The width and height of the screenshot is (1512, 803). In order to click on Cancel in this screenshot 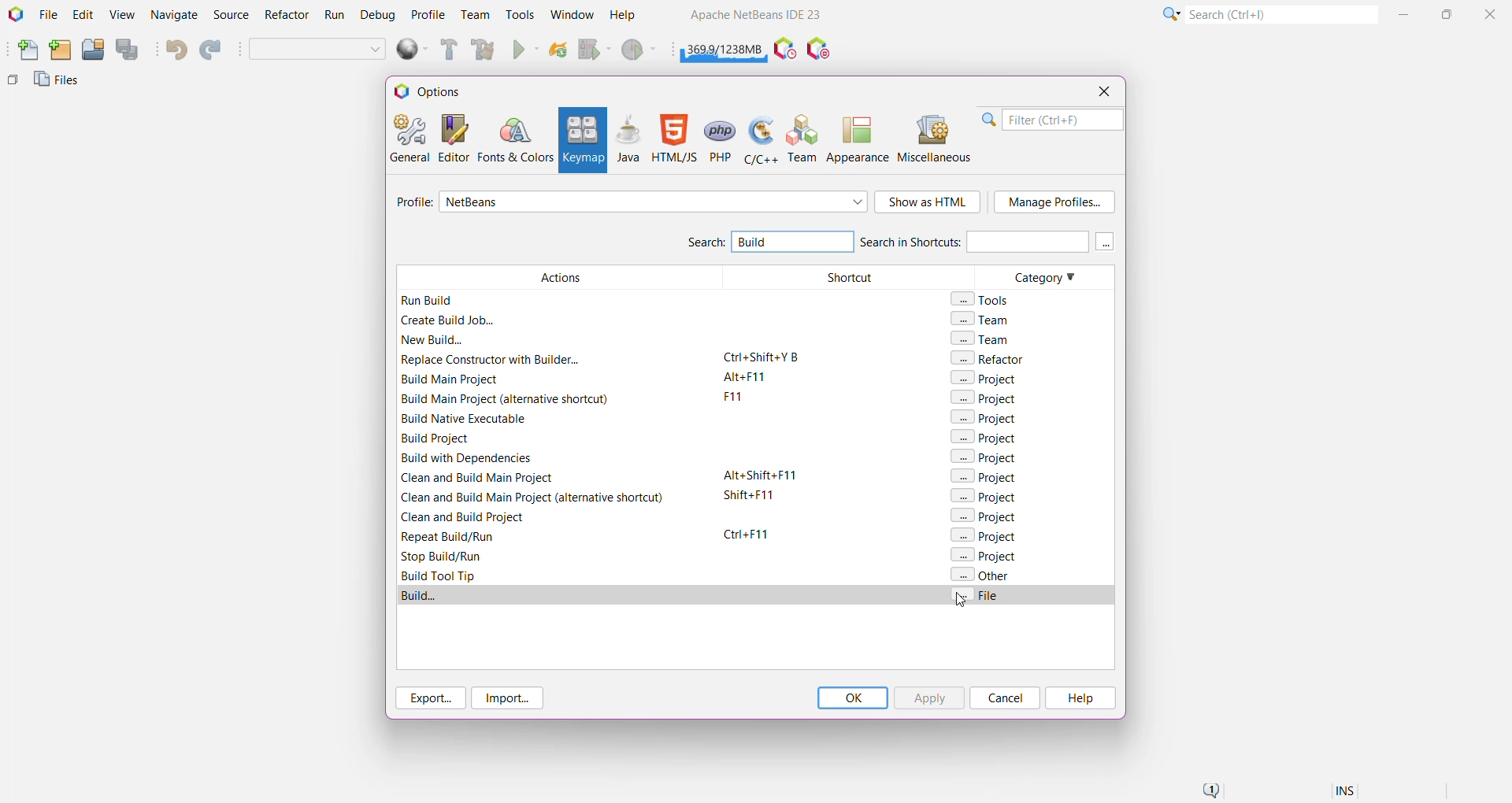, I will do `click(1005, 698)`.